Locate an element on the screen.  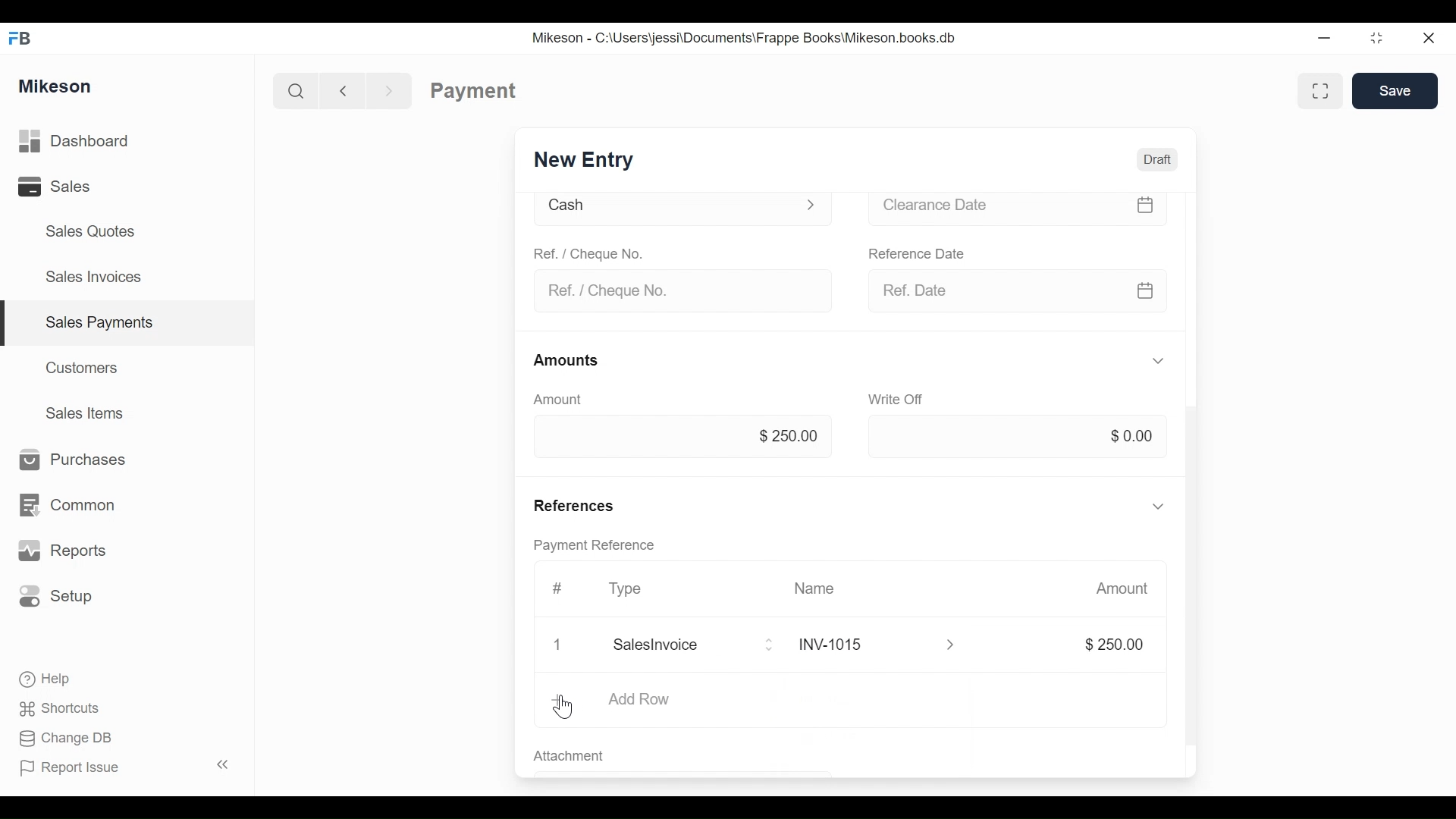
Shortcuts is located at coordinates (66, 704).